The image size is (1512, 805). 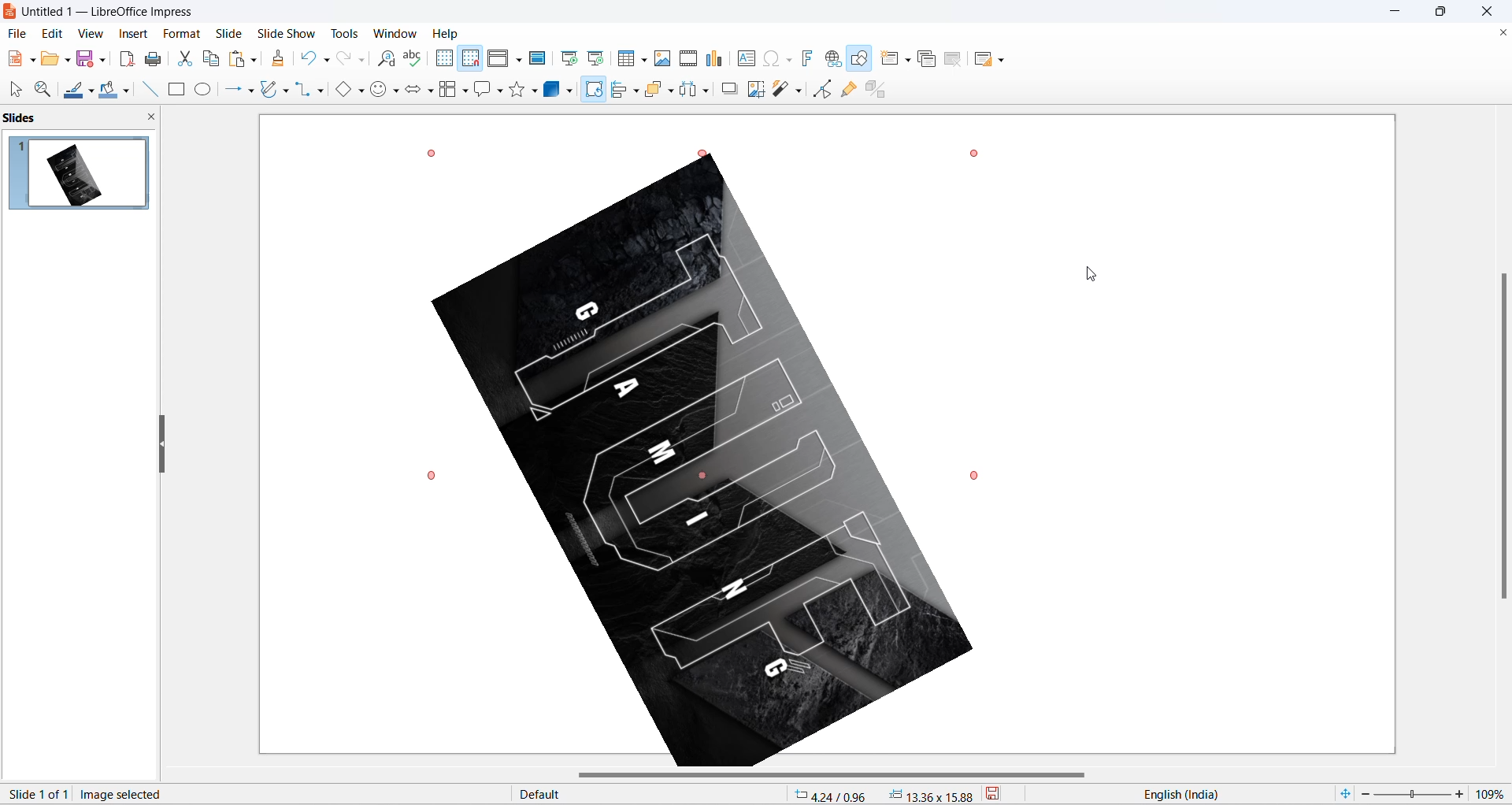 I want to click on save, so click(x=1003, y=796).